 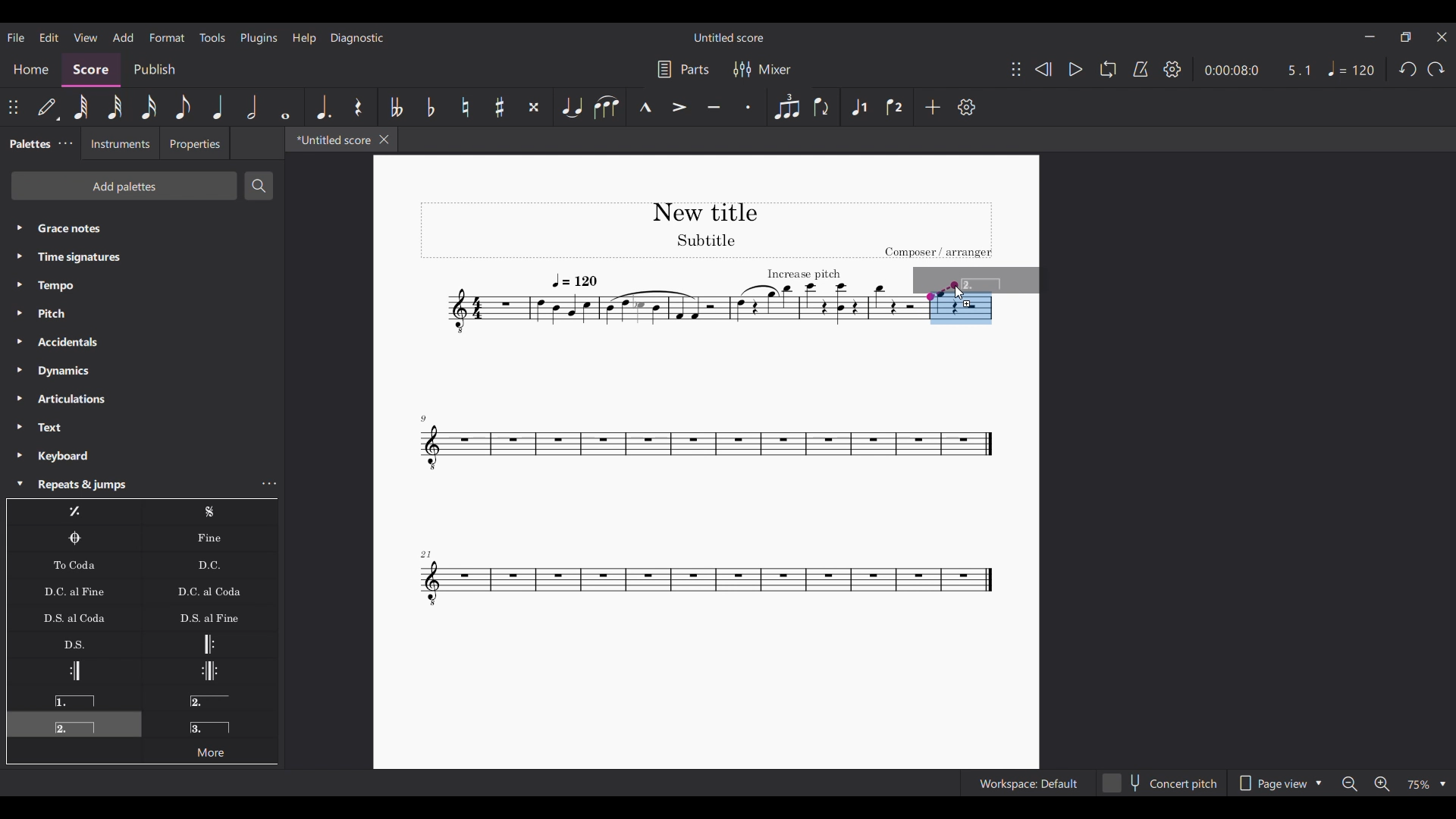 What do you see at coordinates (1442, 37) in the screenshot?
I see `Close interface` at bounding box center [1442, 37].